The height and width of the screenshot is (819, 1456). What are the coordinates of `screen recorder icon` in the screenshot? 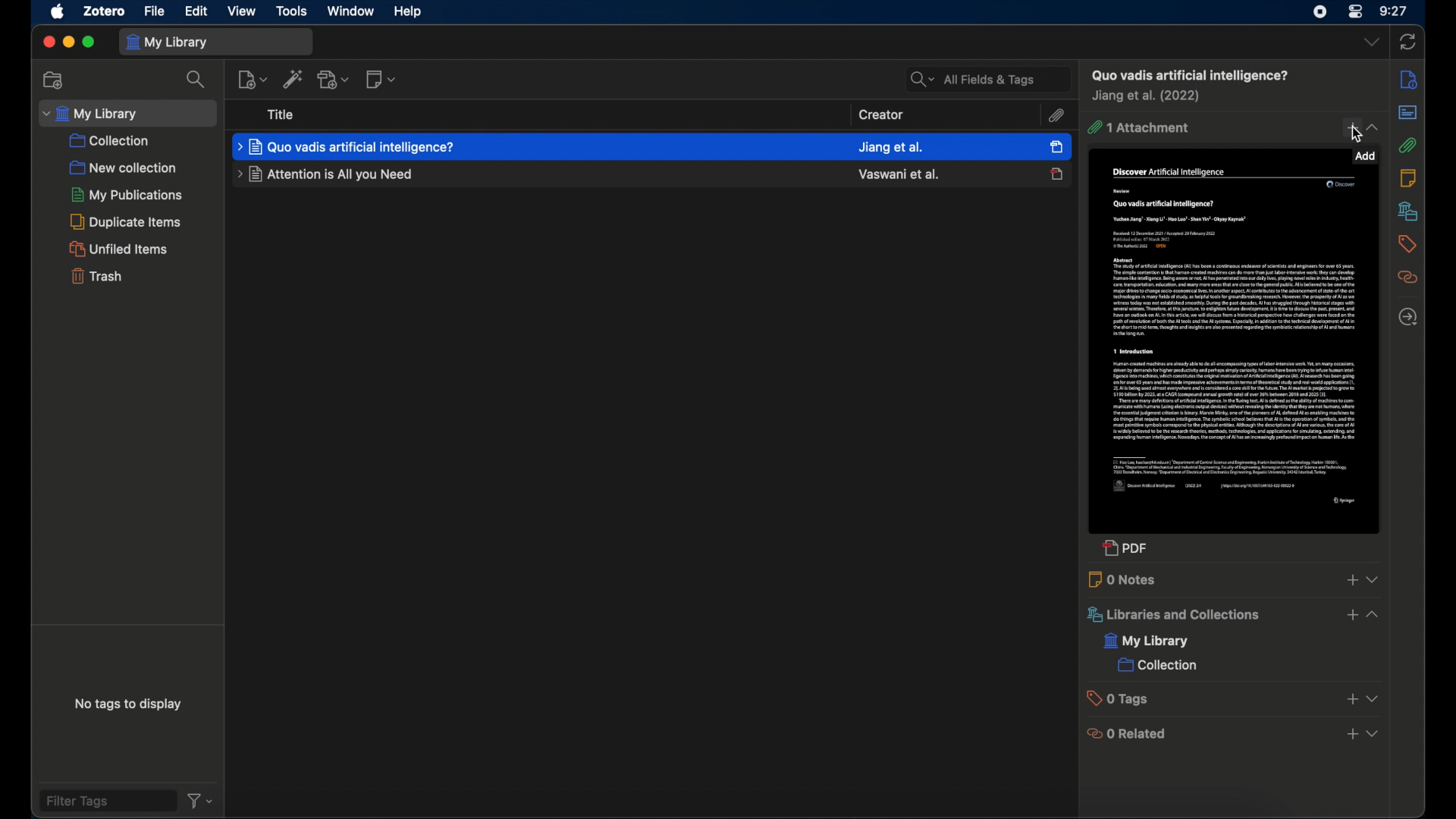 It's located at (1316, 12).